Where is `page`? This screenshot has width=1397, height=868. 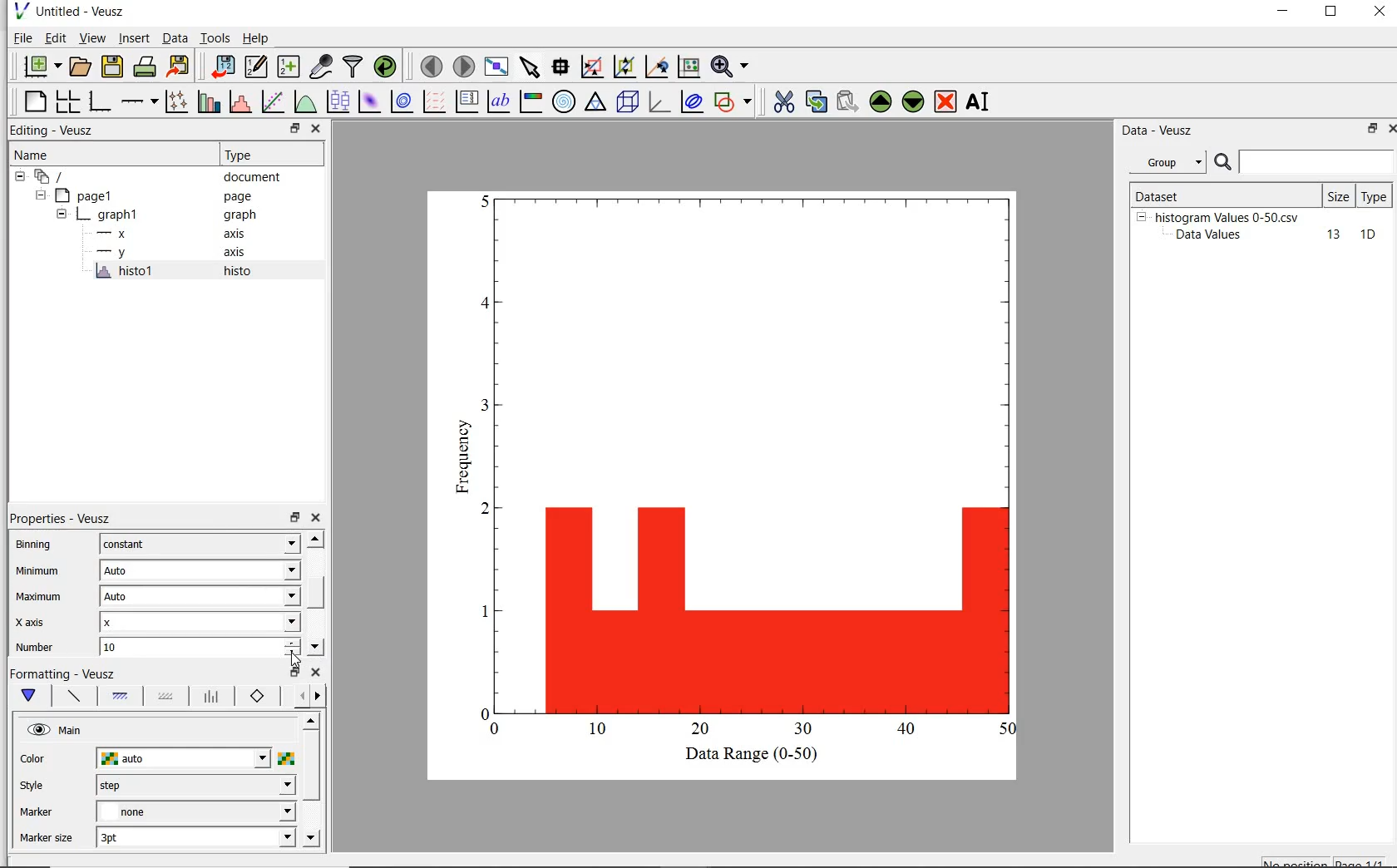 page is located at coordinates (246, 197).